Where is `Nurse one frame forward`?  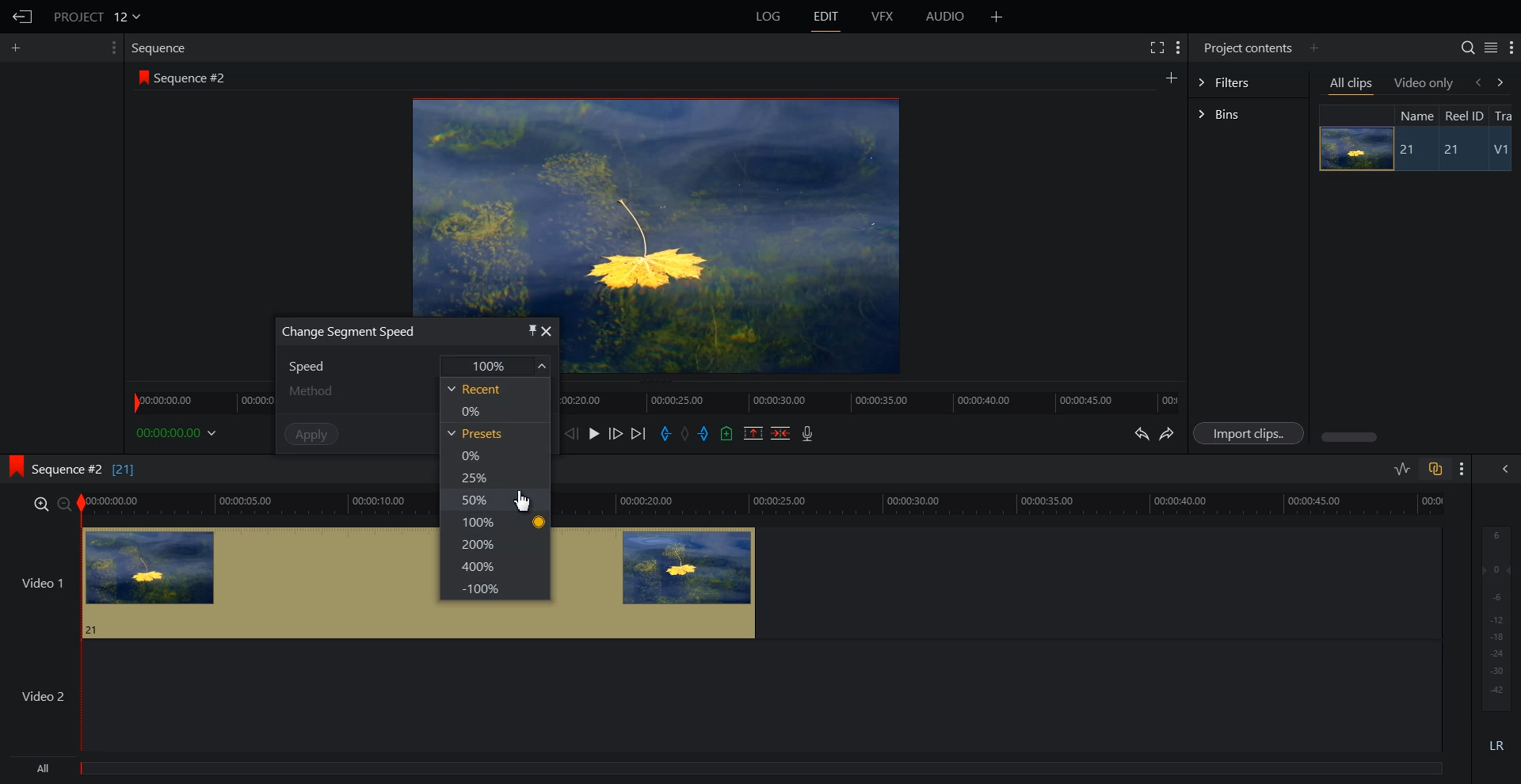
Nurse one frame forward is located at coordinates (616, 433).